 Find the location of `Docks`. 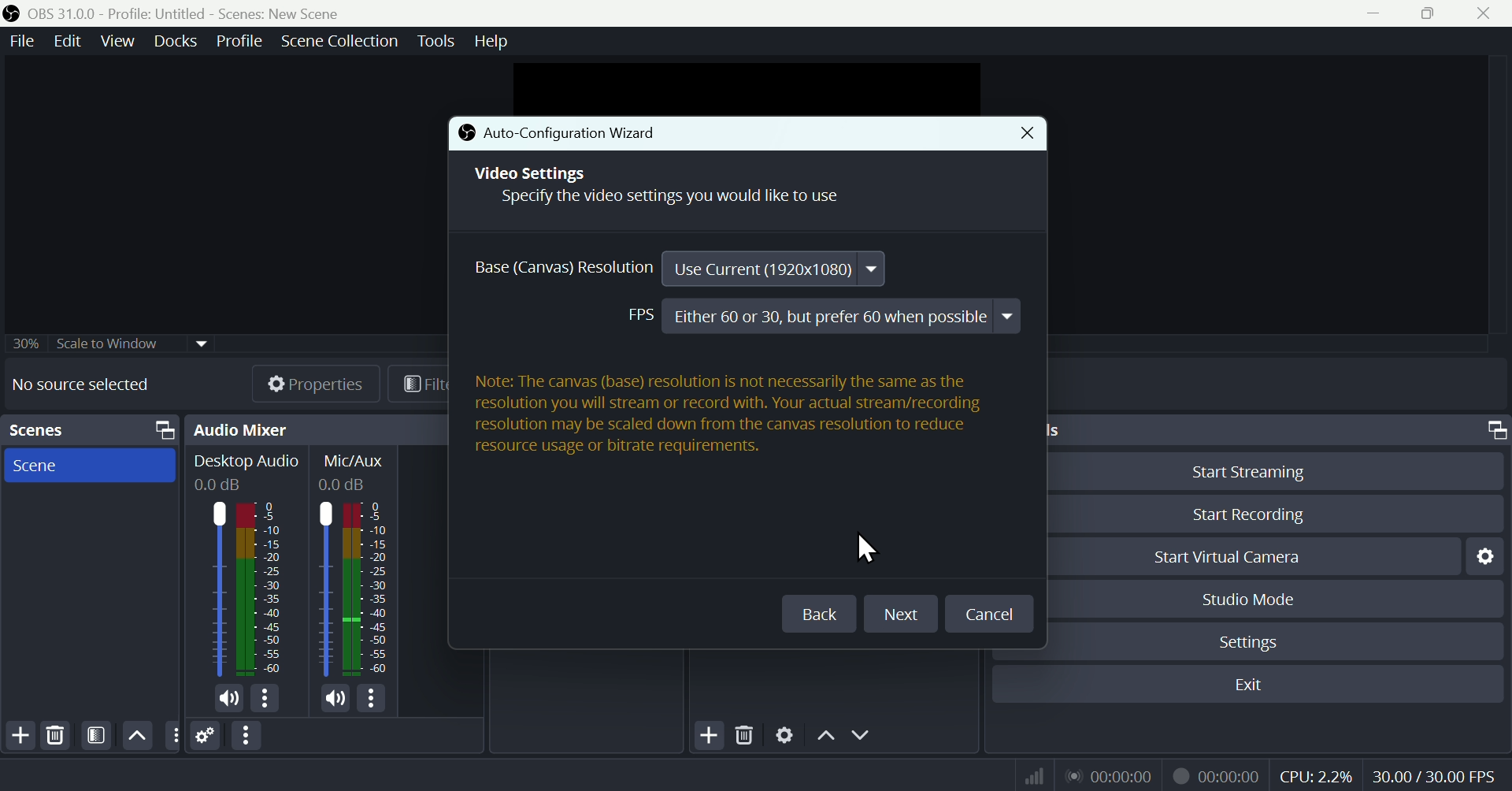

Docks is located at coordinates (170, 41).